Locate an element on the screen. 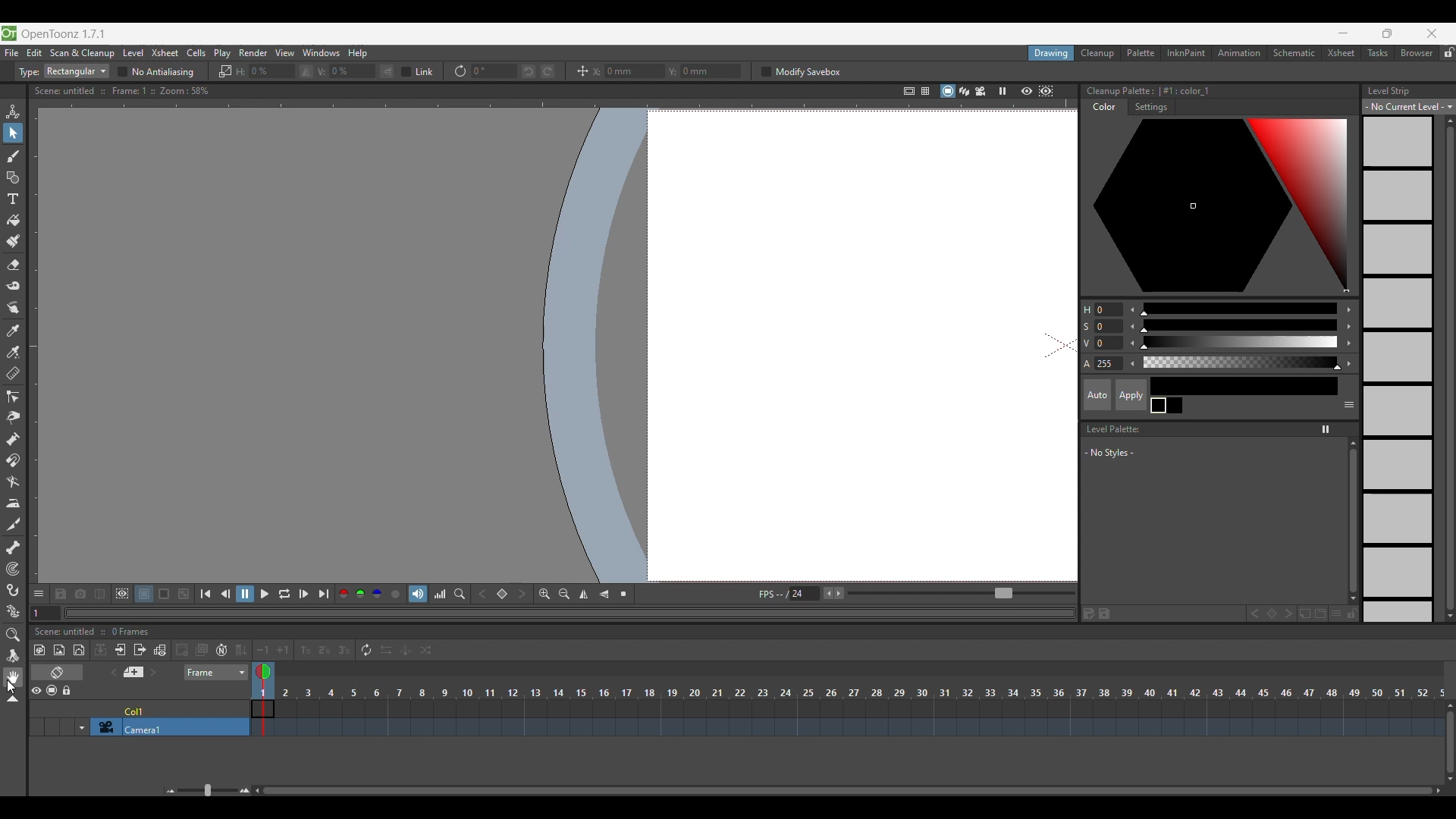 The width and height of the screenshot is (1456, 819). Last frame is located at coordinates (325, 594).